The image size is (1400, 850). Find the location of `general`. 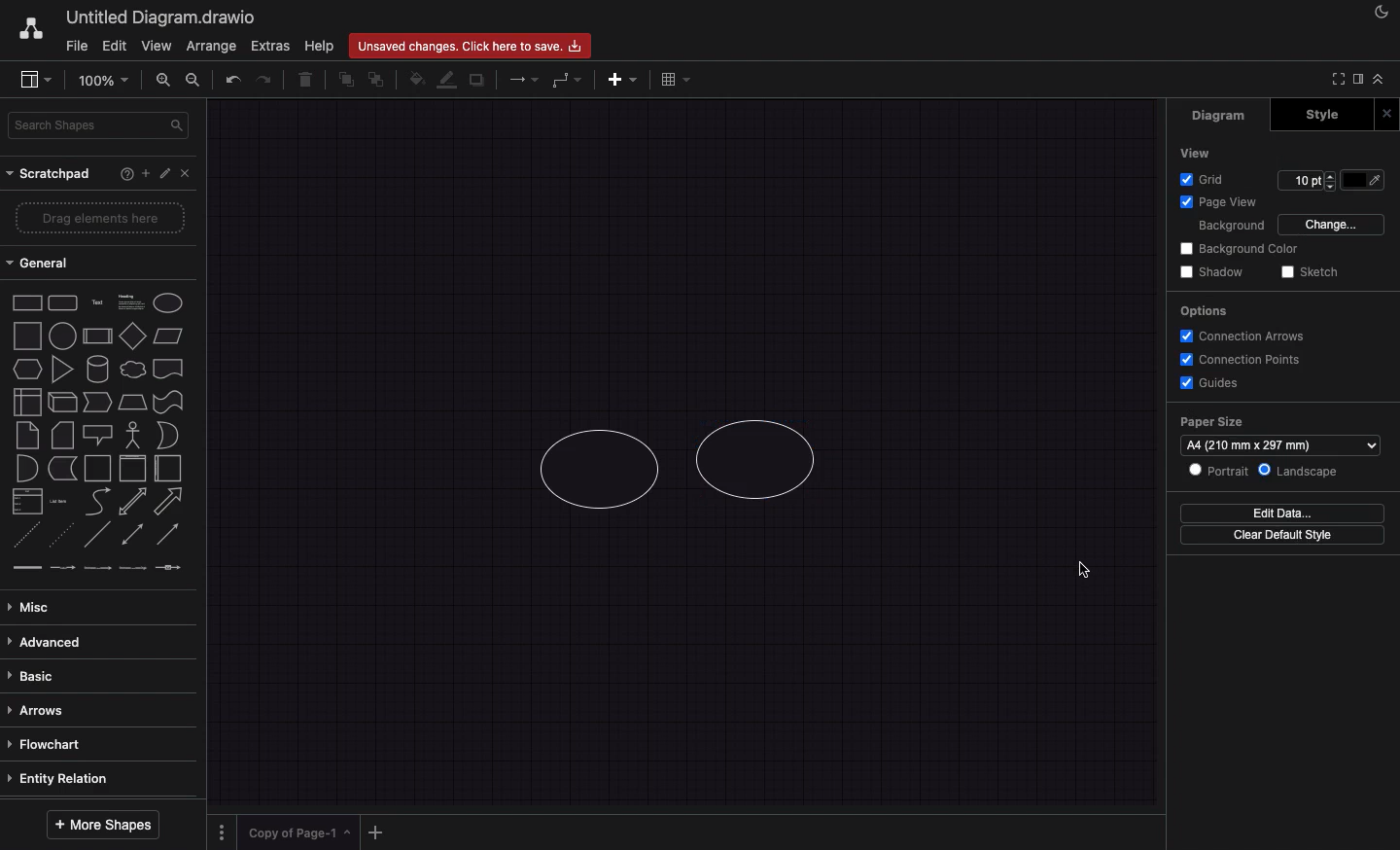

general is located at coordinates (40, 262).